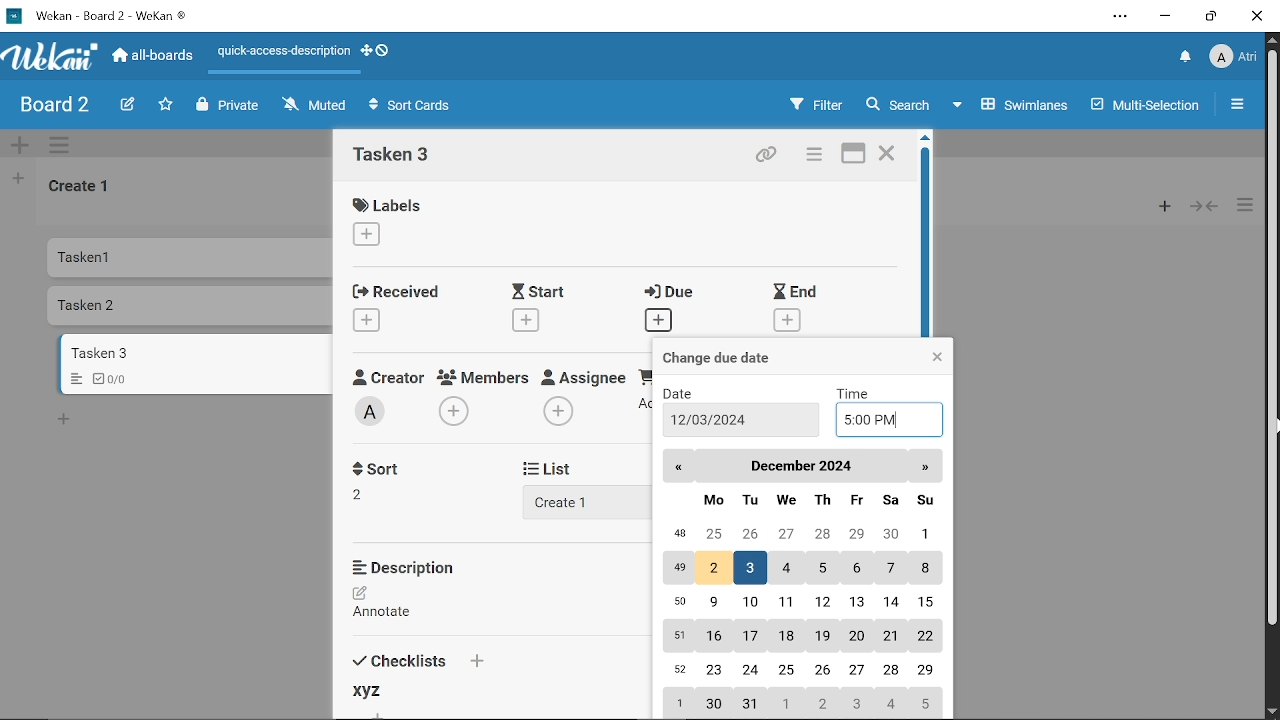  Describe the element at coordinates (930, 139) in the screenshot. I see `move up` at that location.